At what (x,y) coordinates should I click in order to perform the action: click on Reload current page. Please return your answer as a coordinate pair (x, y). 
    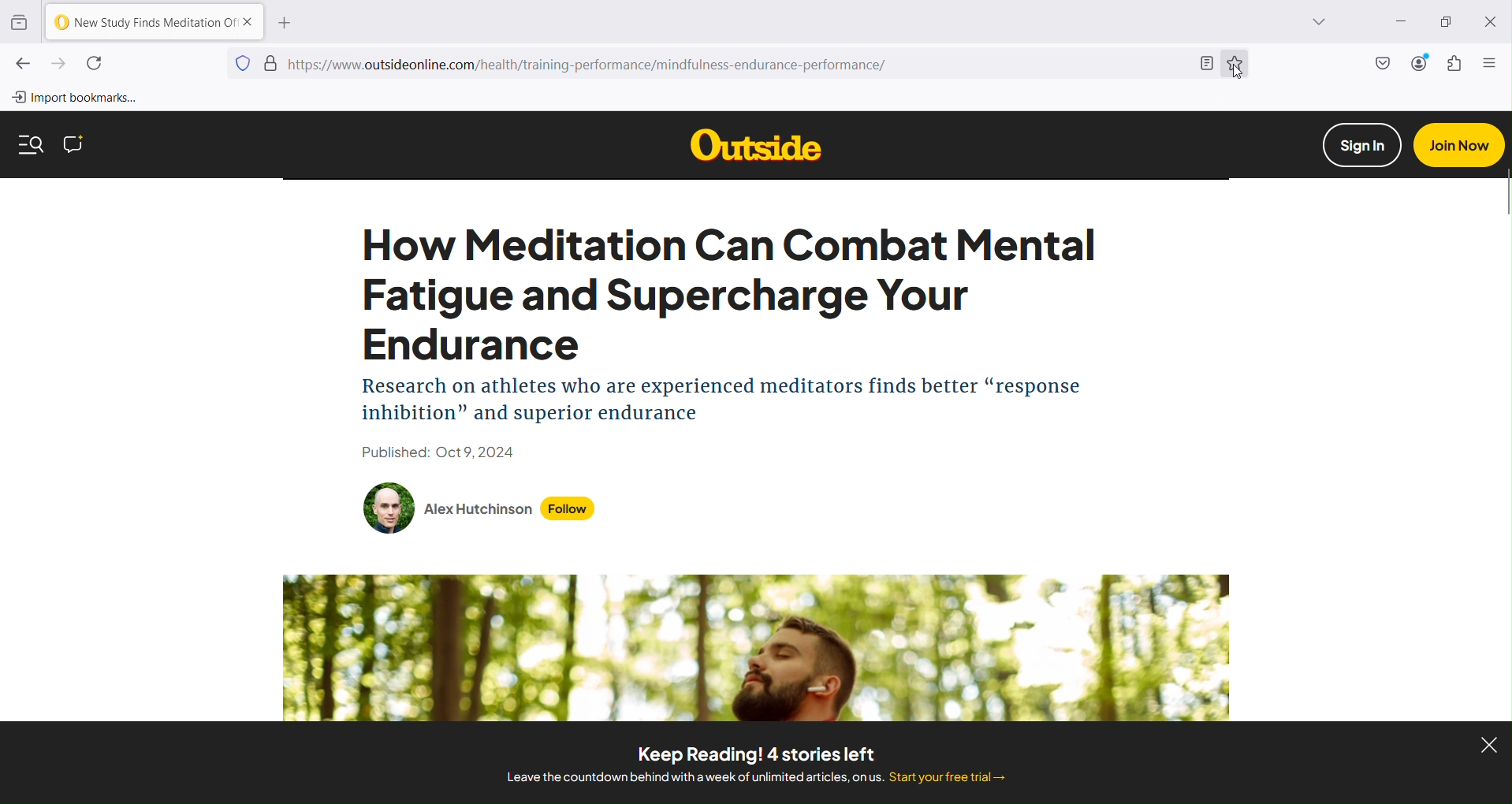
    Looking at the image, I should click on (97, 63).